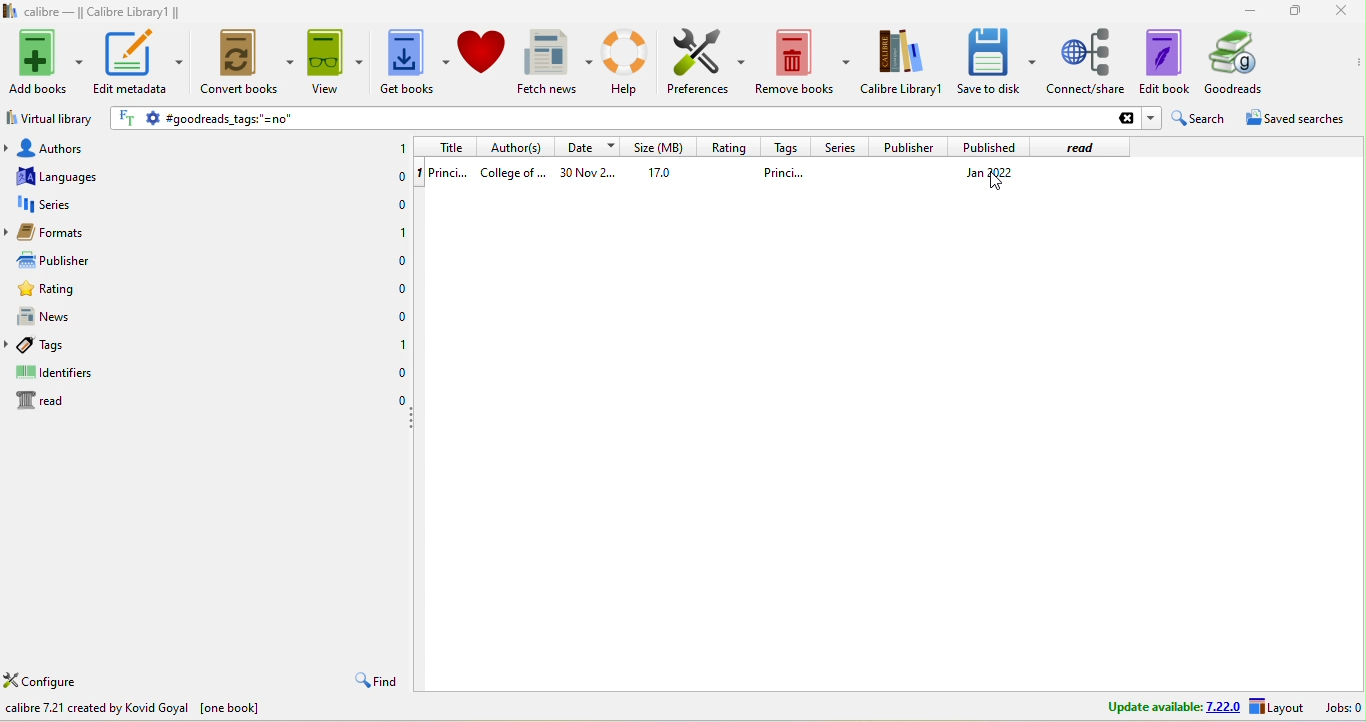 This screenshot has height=722, width=1366. What do you see at coordinates (706, 62) in the screenshot?
I see `preferences` at bounding box center [706, 62].